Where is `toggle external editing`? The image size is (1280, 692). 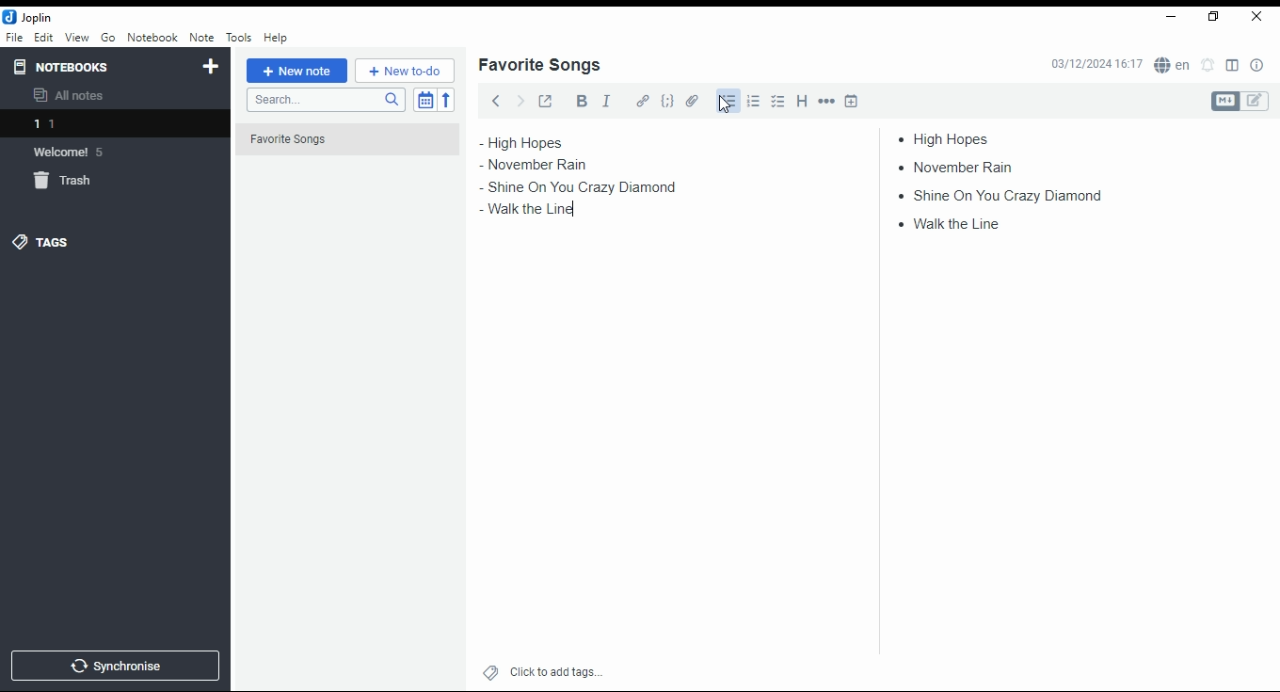
toggle external editing is located at coordinates (546, 100).